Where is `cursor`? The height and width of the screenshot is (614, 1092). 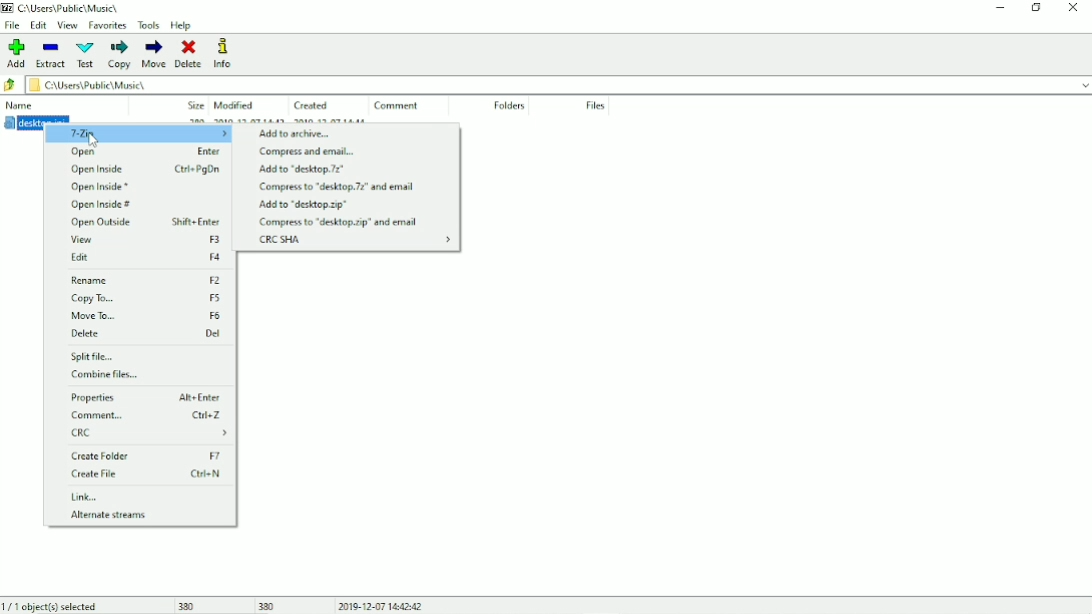 cursor is located at coordinates (93, 140).